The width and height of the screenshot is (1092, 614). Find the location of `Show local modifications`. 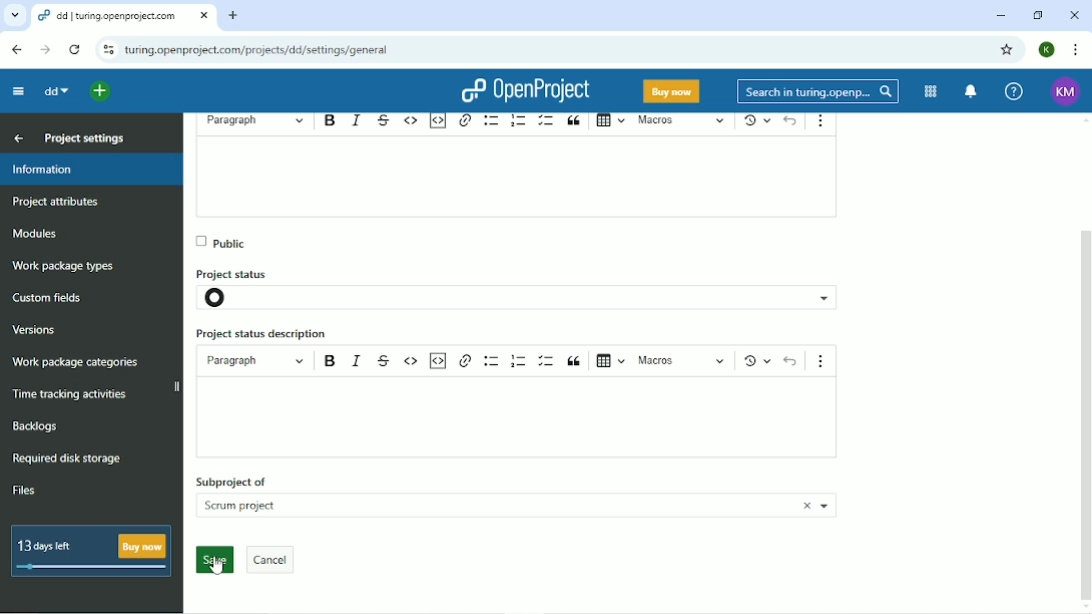

Show local modifications is located at coordinates (752, 122).